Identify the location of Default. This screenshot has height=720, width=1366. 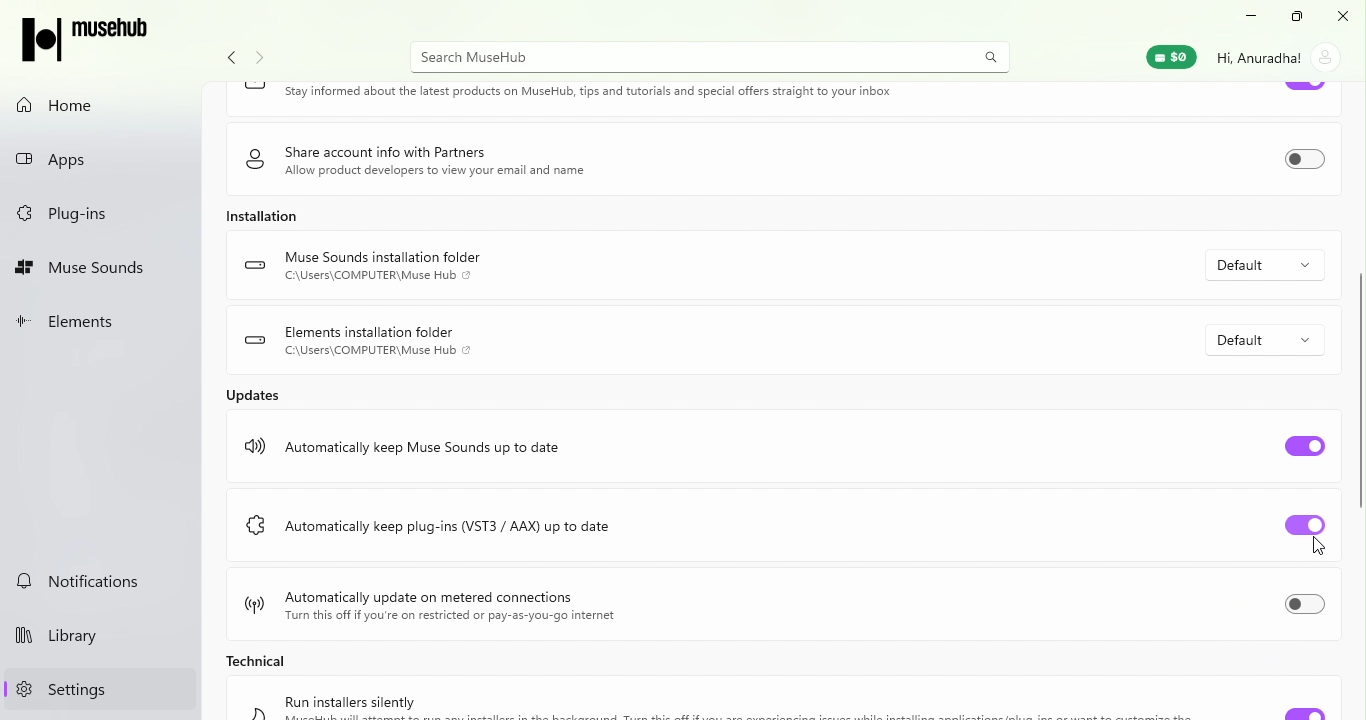
(1262, 339).